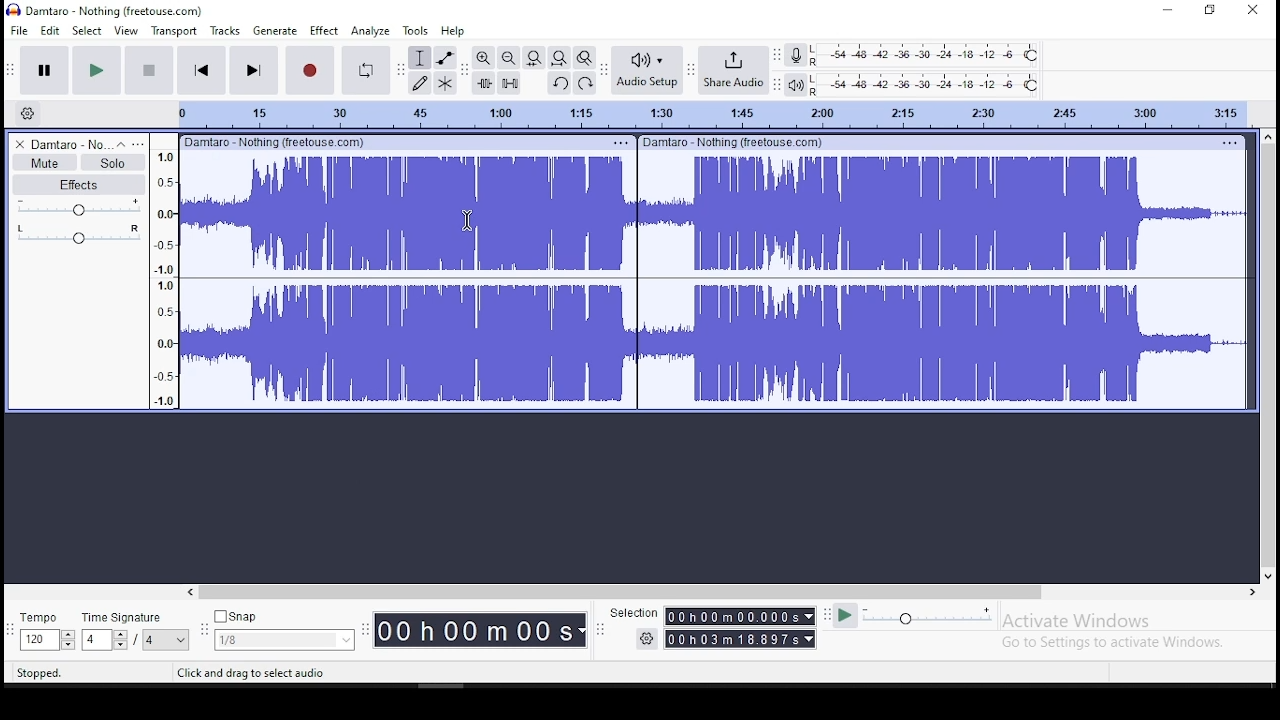 This screenshot has width=1280, height=720. I want to click on playback speed, so click(928, 618).